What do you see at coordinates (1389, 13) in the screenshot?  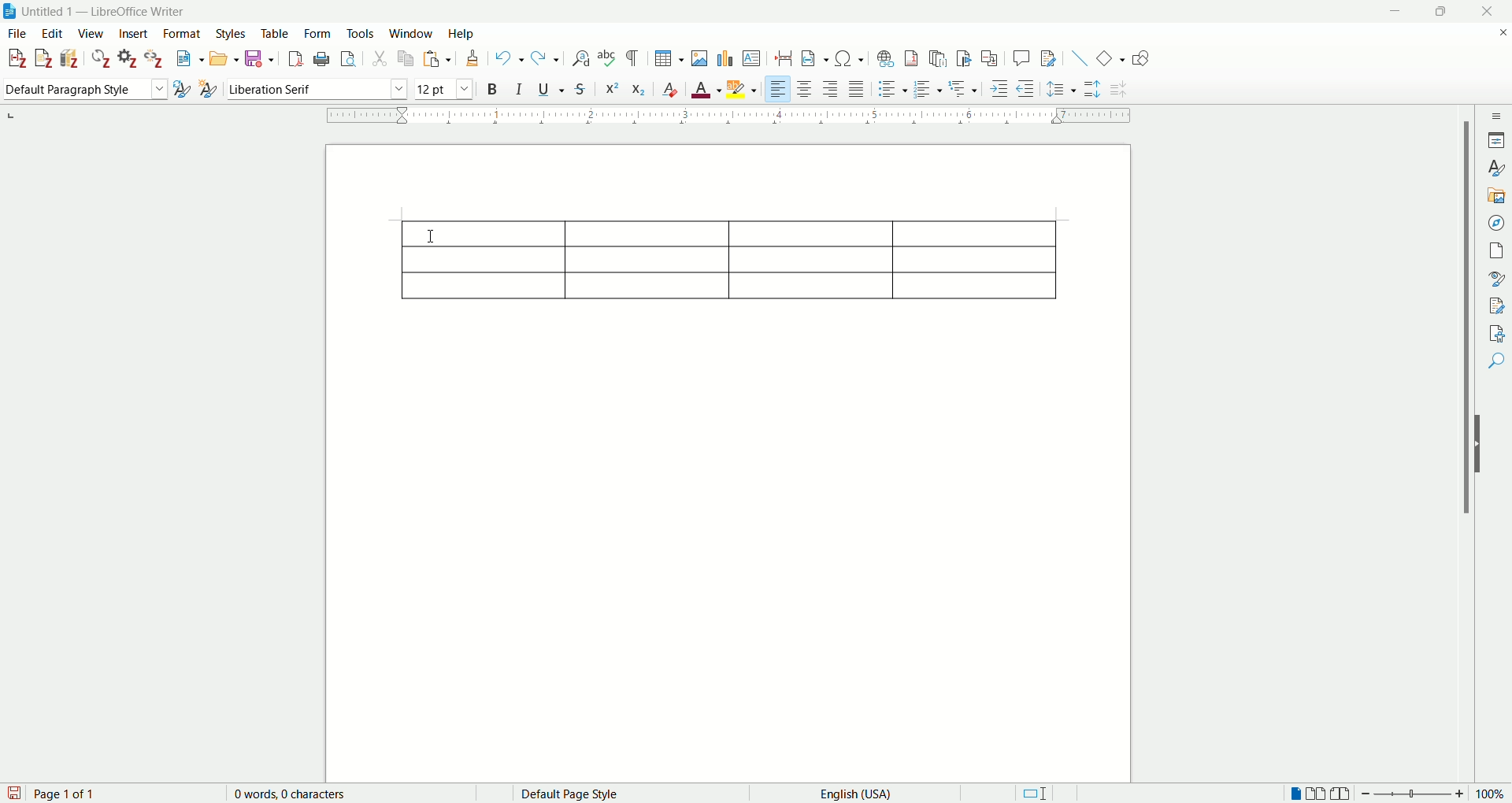 I see `minimize` at bounding box center [1389, 13].